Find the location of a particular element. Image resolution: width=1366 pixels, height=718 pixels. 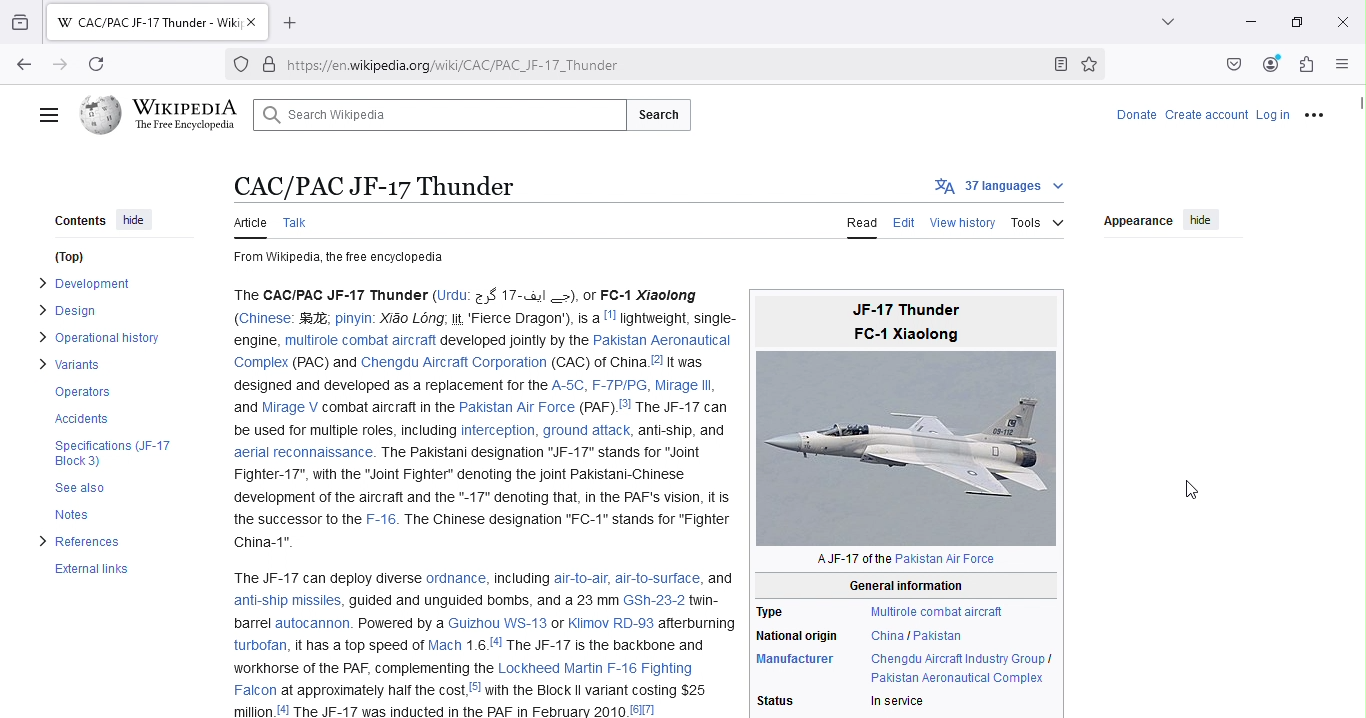

Search is located at coordinates (657, 111).